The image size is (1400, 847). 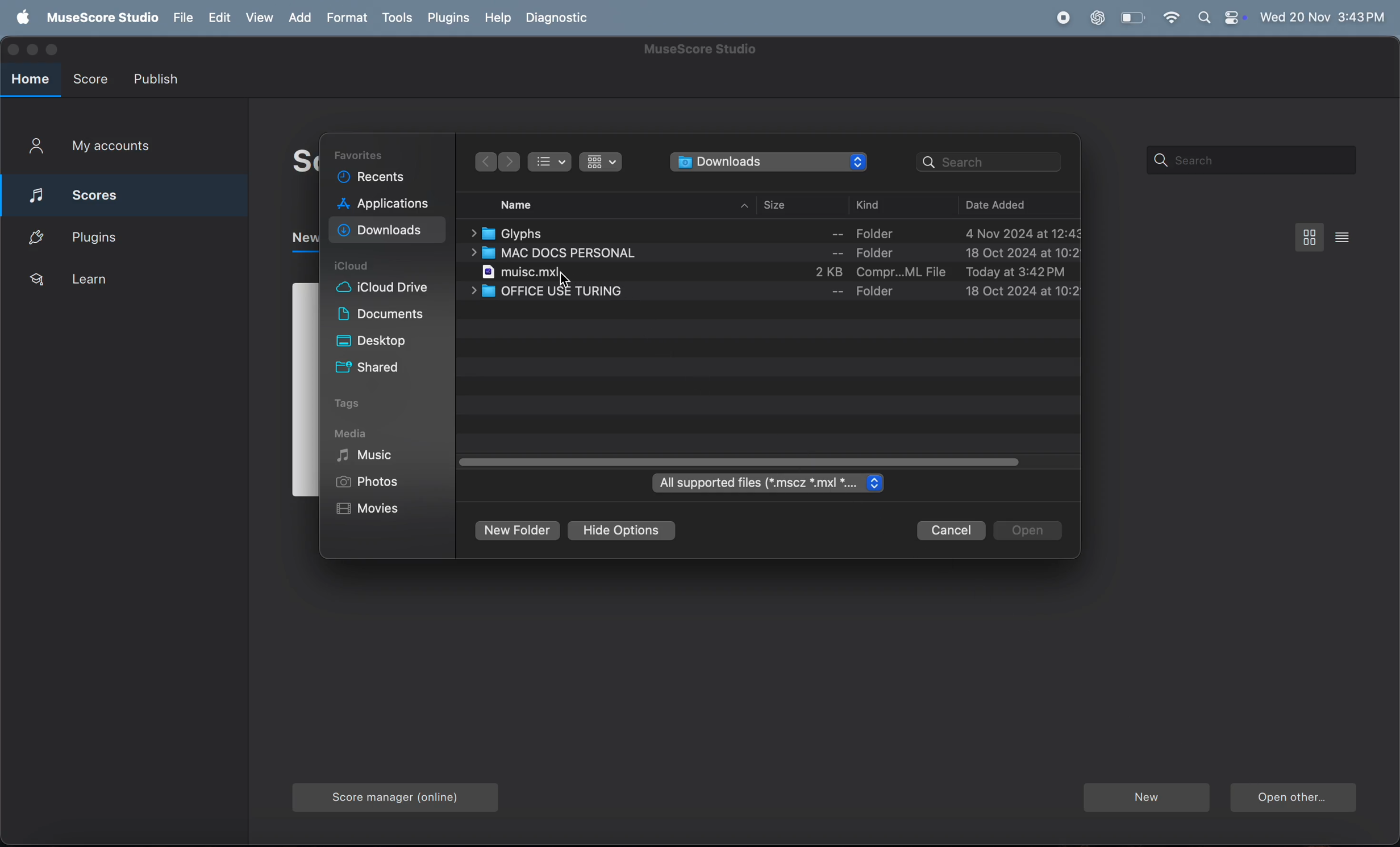 I want to click on musescore studio, so click(x=102, y=17).